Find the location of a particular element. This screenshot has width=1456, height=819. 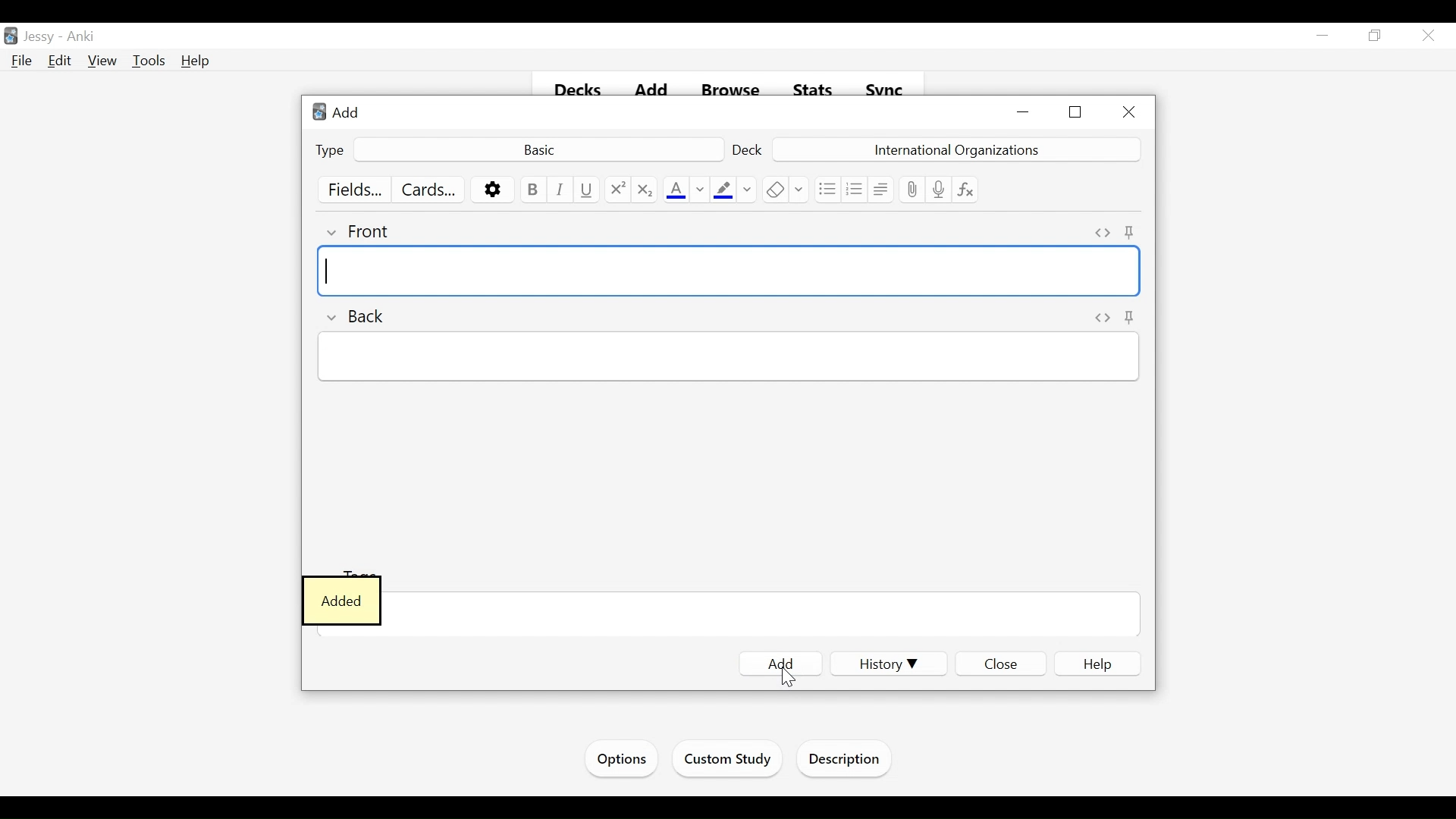

Toggle HTML is located at coordinates (1102, 232).